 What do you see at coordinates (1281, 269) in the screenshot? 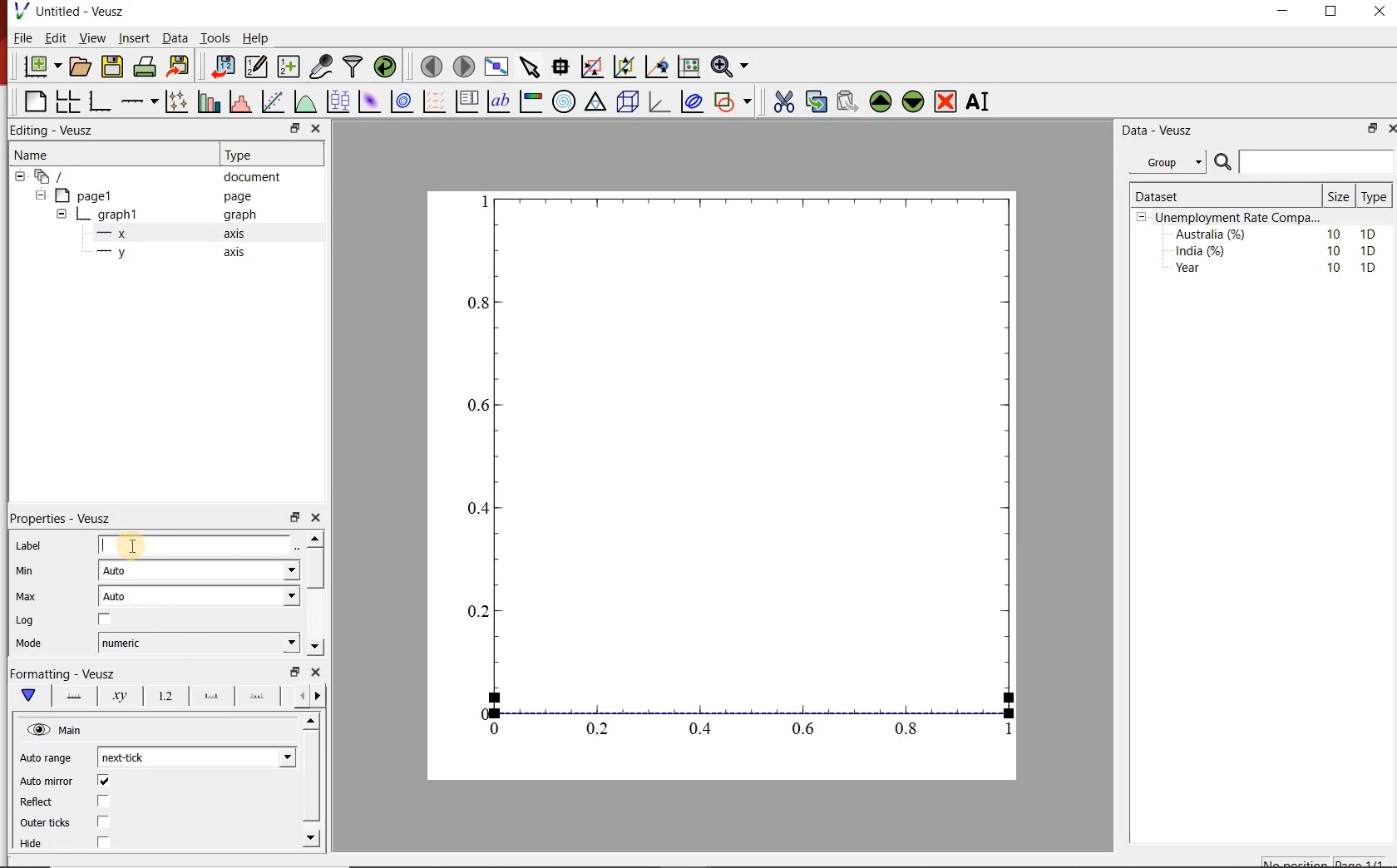
I see `Year 10 1D` at bounding box center [1281, 269].